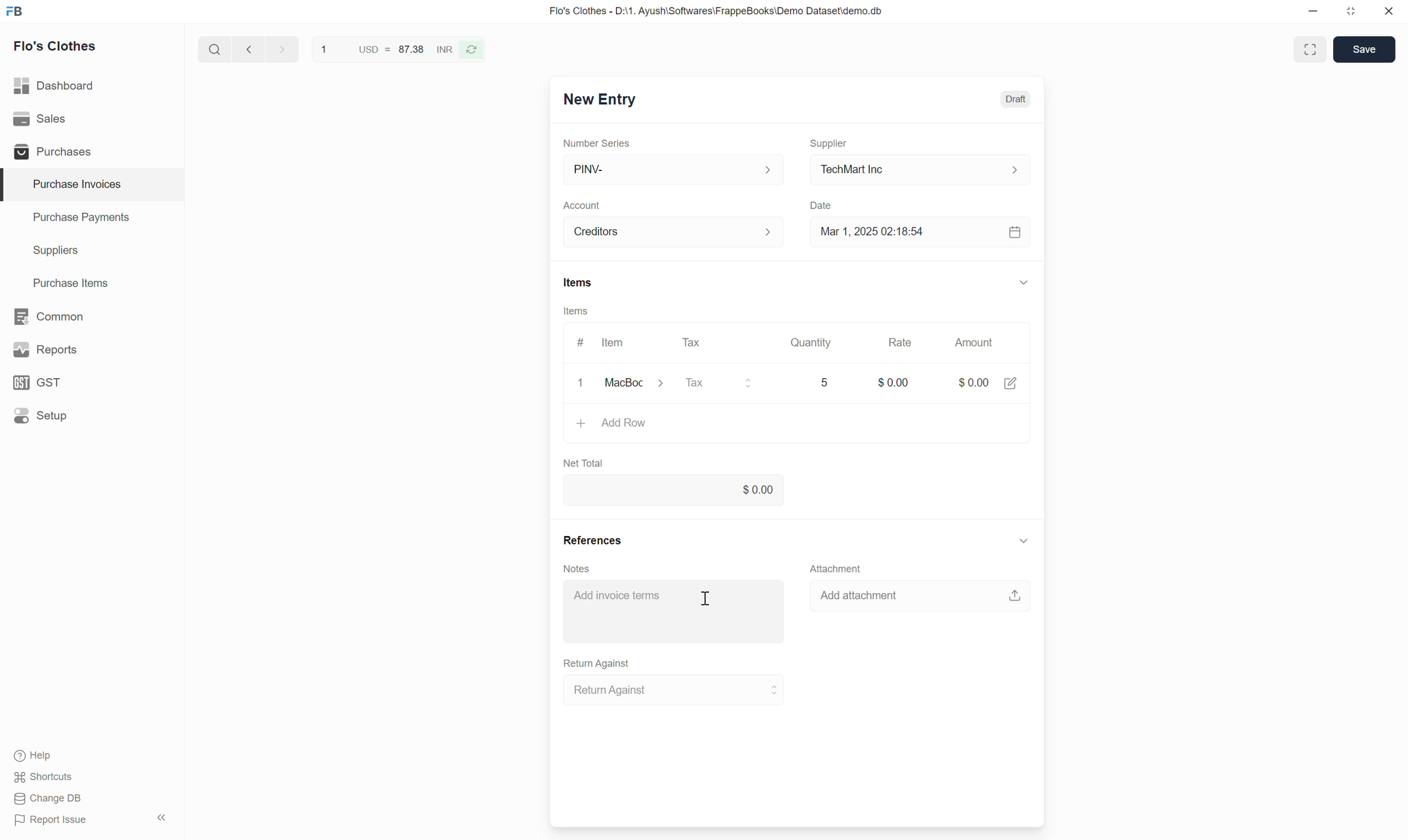 The image size is (1408, 840). What do you see at coordinates (828, 383) in the screenshot?
I see `5` at bounding box center [828, 383].